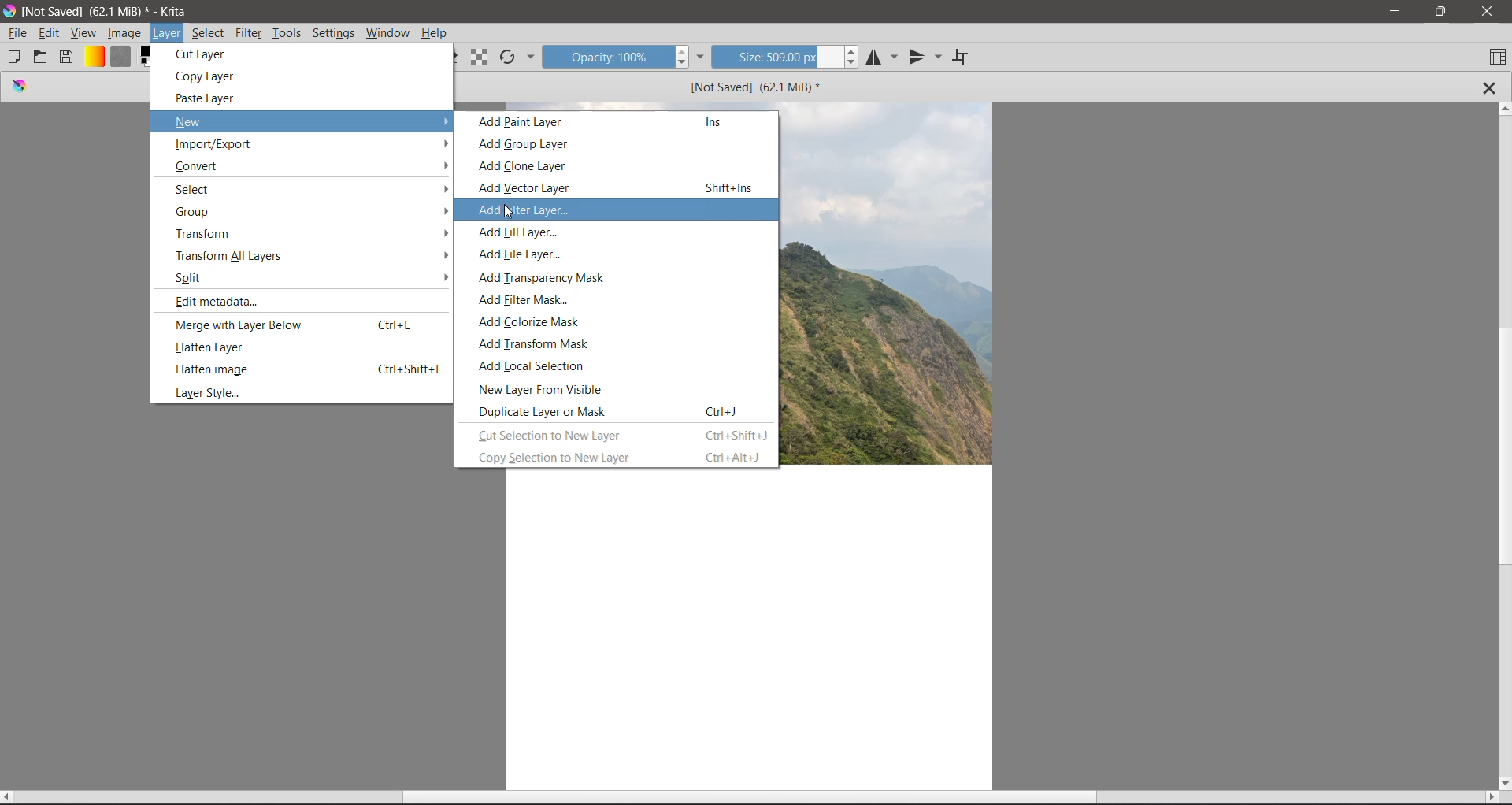 The width and height of the screenshot is (1512, 805). What do you see at coordinates (925, 57) in the screenshot?
I see `Vertical Mirror Tool` at bounding box center [925, 57].